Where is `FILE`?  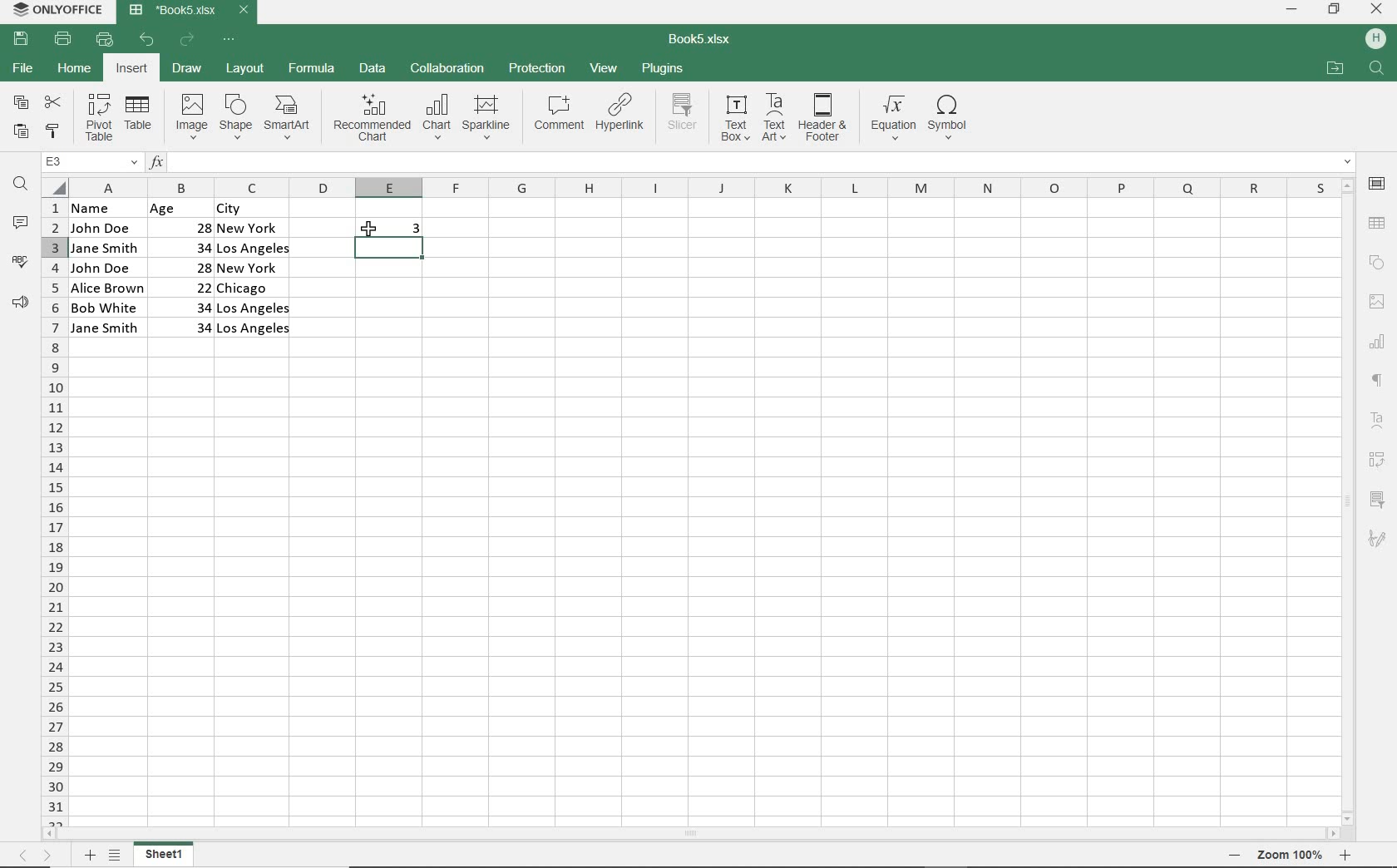
FILE is located at coordinates (22, 68).